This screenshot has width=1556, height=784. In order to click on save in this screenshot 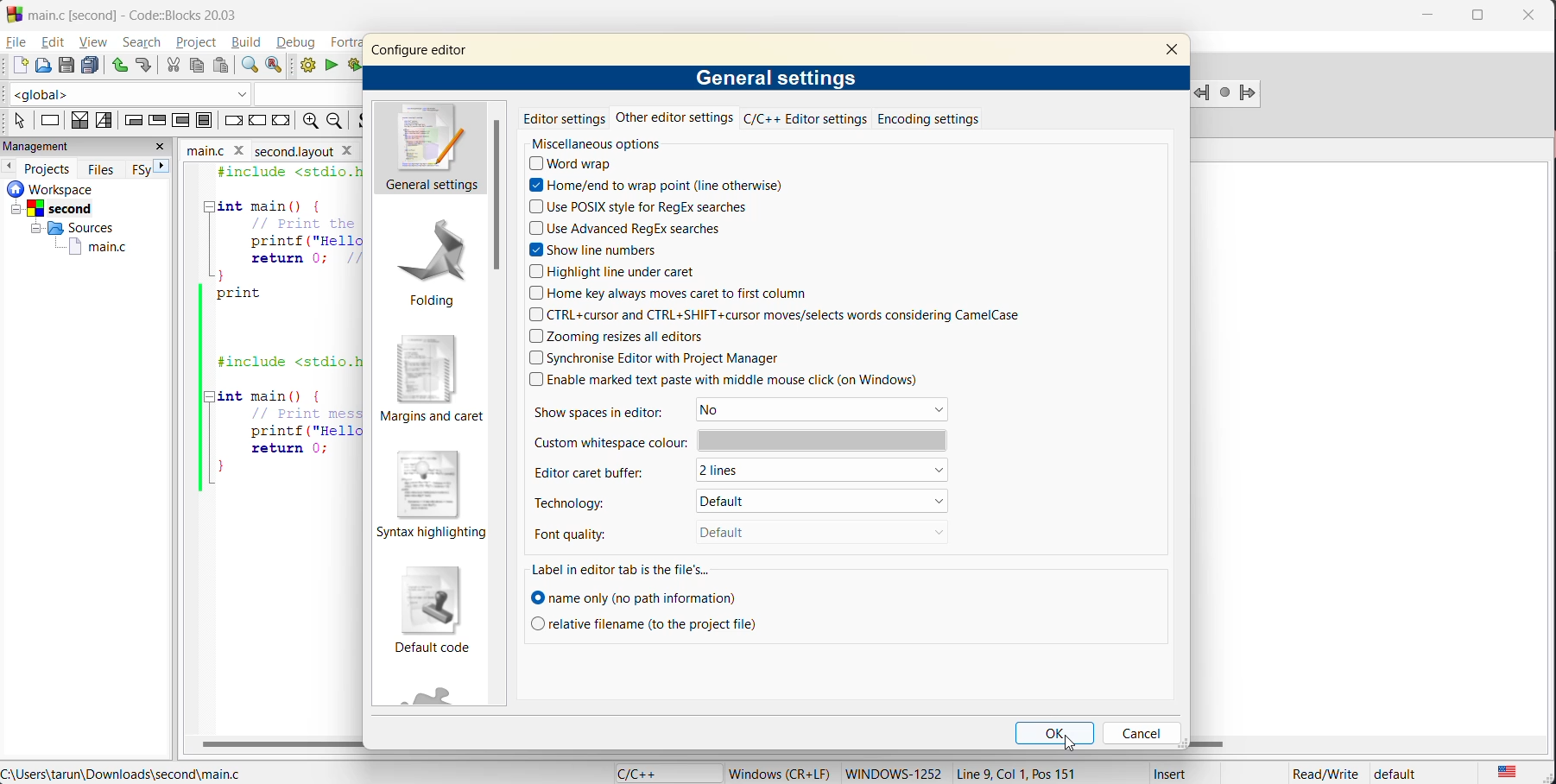, I will do `click(66, 66)`.